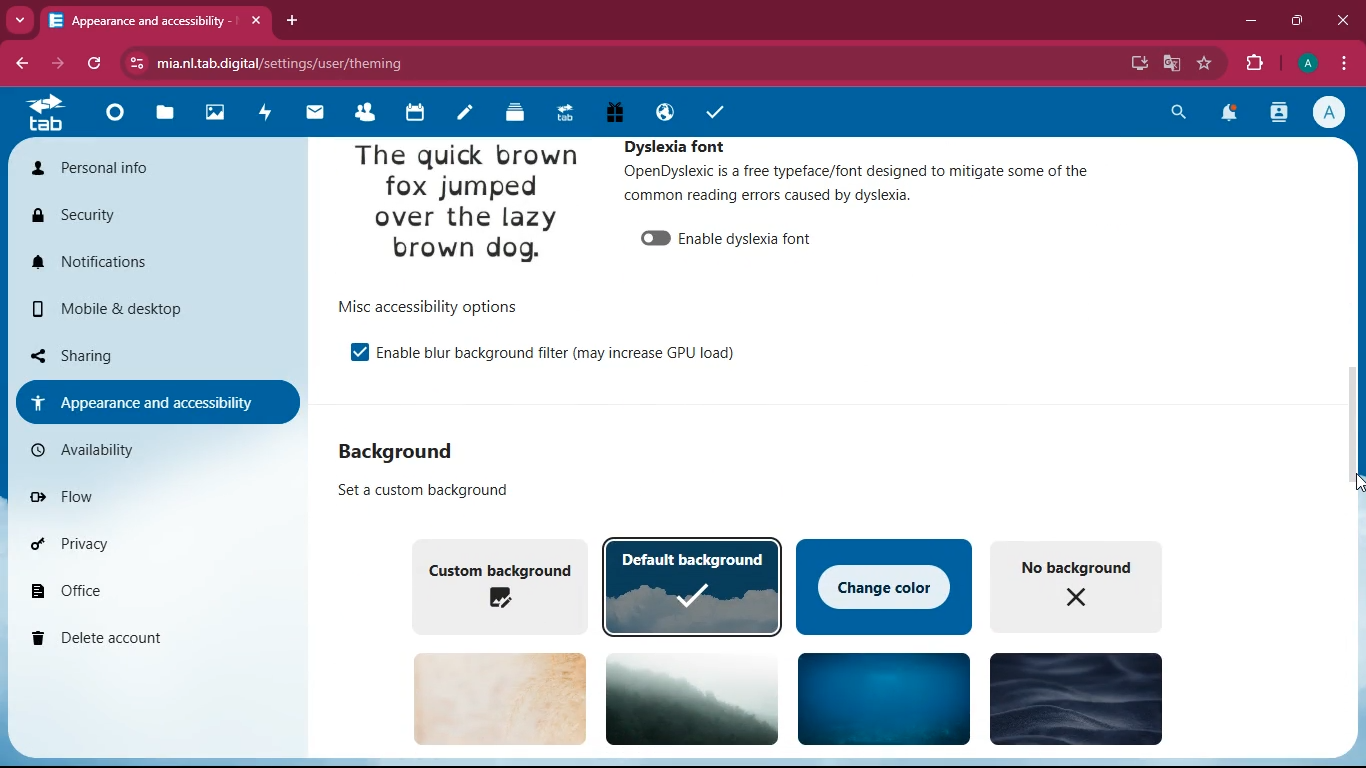  Describe the element at coordinates (753, 238) in the screenshot. I see `enable` at that location.